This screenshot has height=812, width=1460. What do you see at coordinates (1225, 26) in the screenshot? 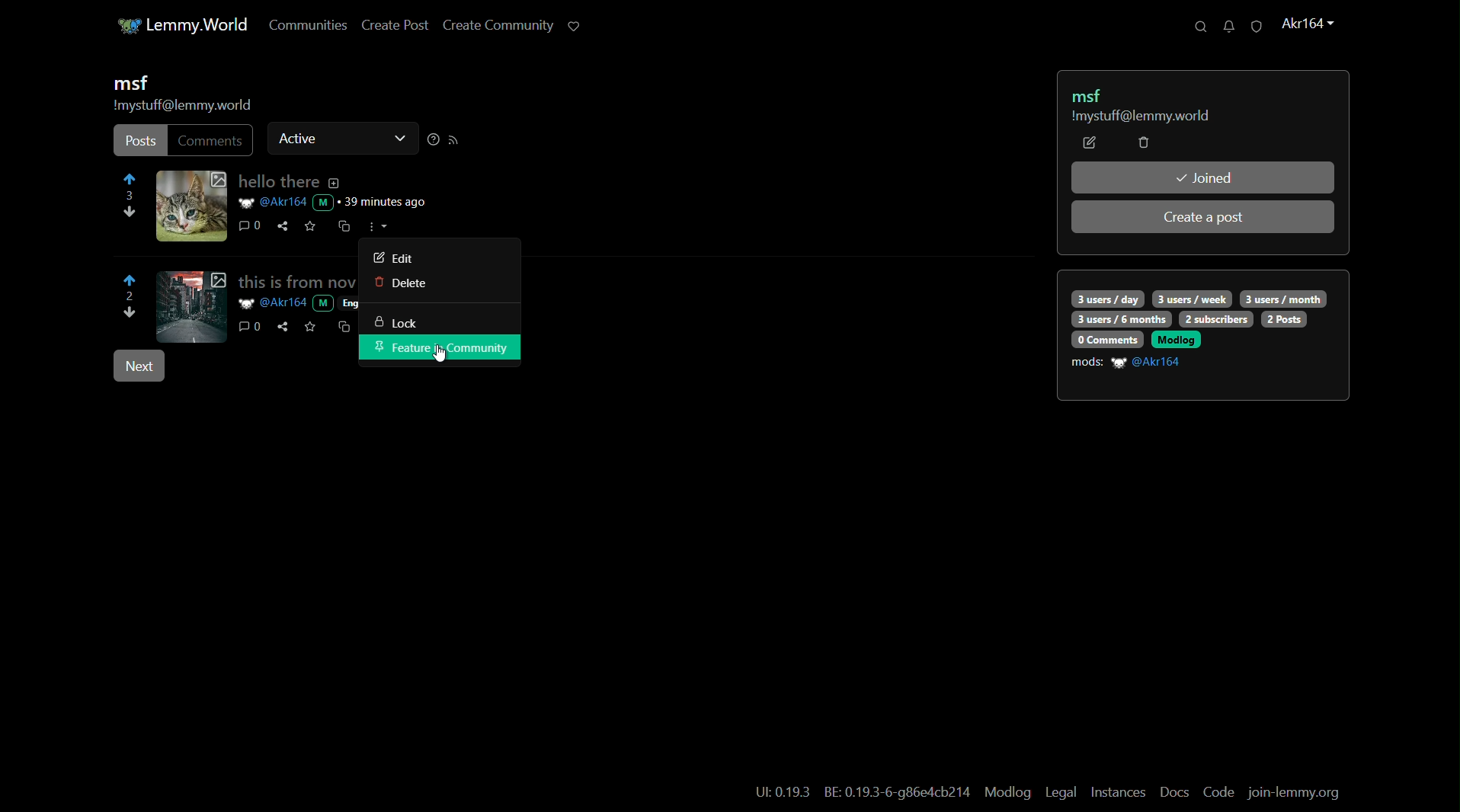
I see `unread messages` at bounding box center [1225, 26].